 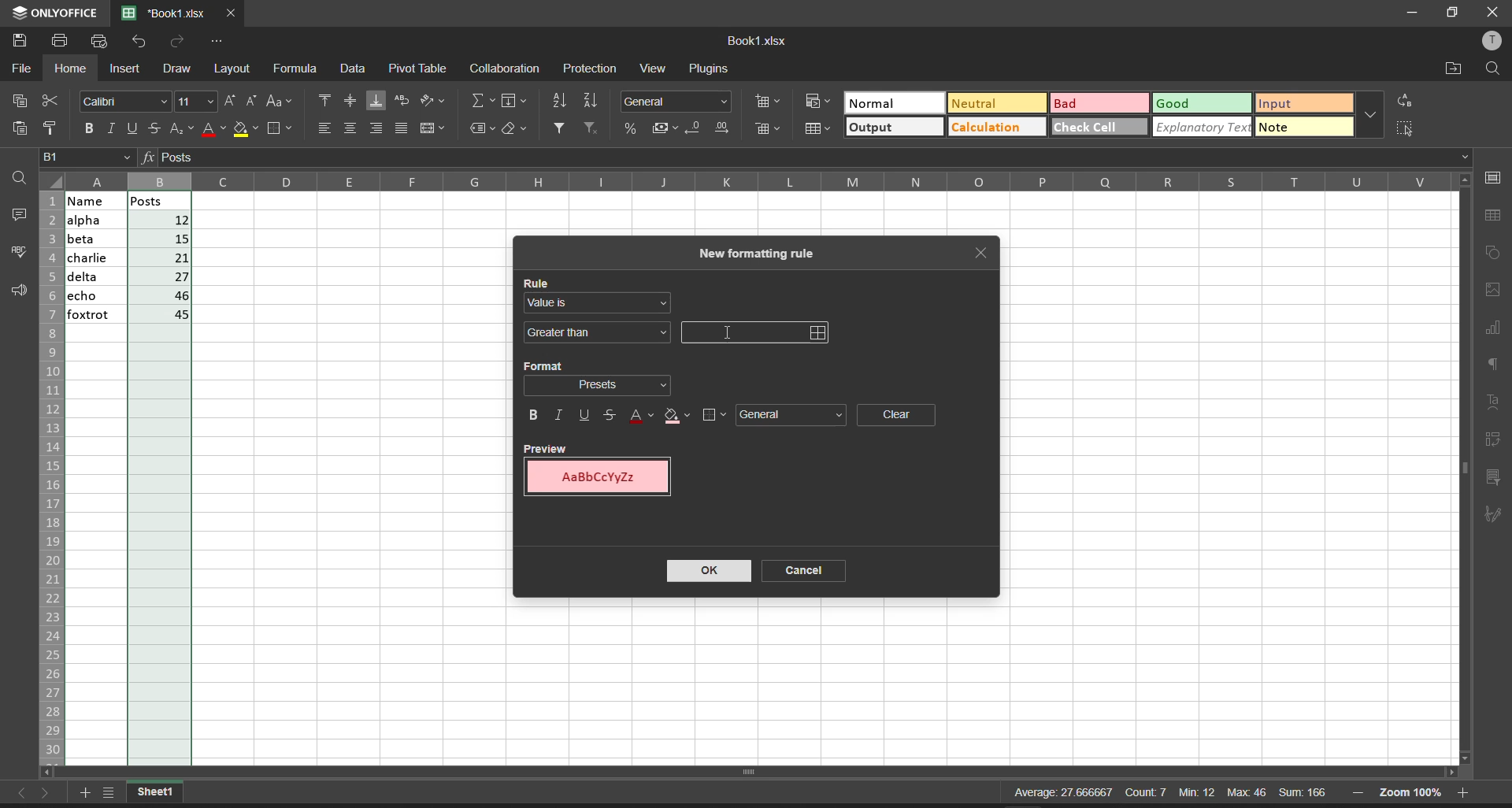 What do you see at coordinates (1495, 438) in the screenshot?
I see `pivot table settings` at bounding box center [1495, 438].